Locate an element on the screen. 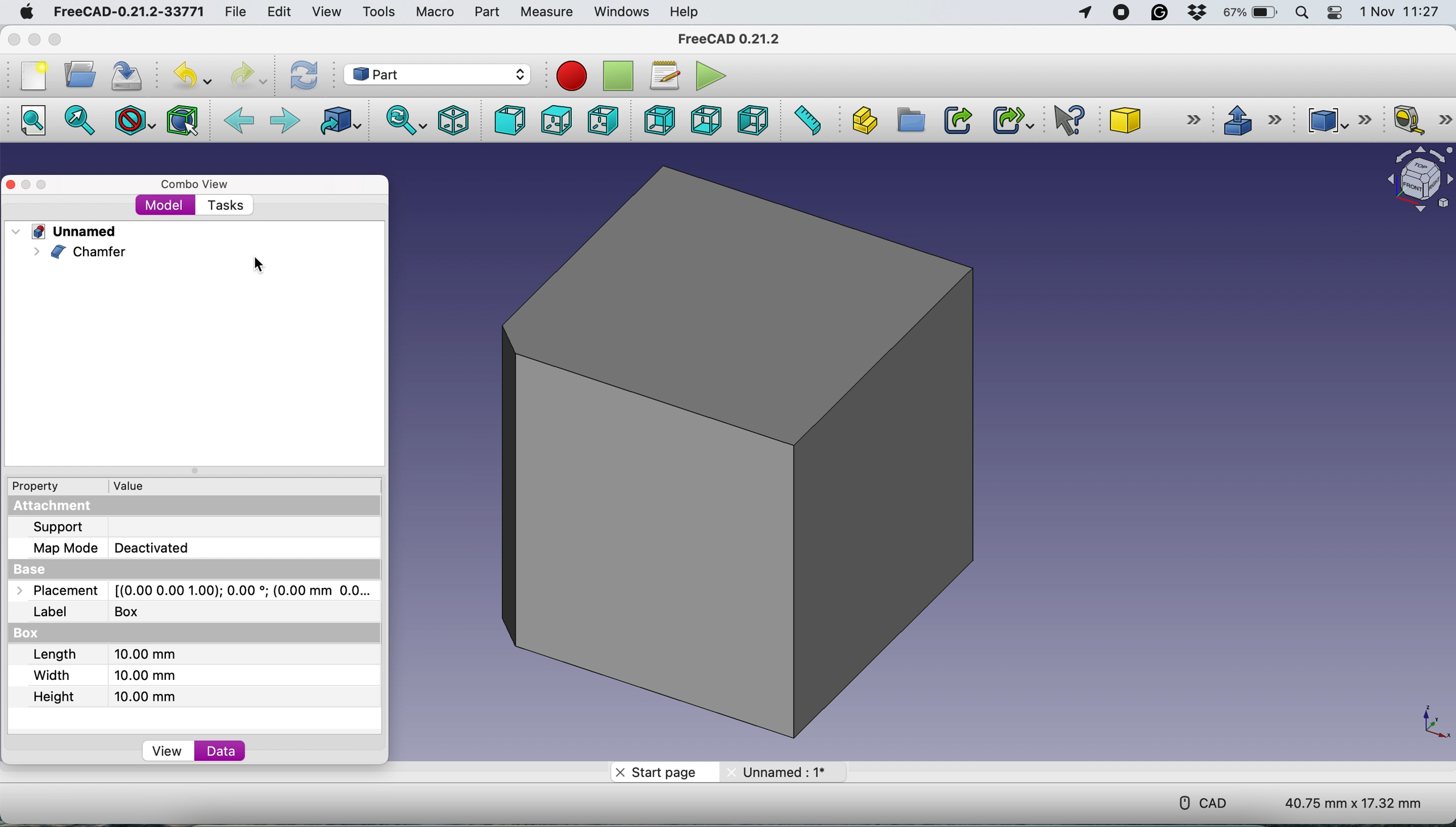 This screenshot has width=1456, height=827. file is located at coordinates (233, 12).